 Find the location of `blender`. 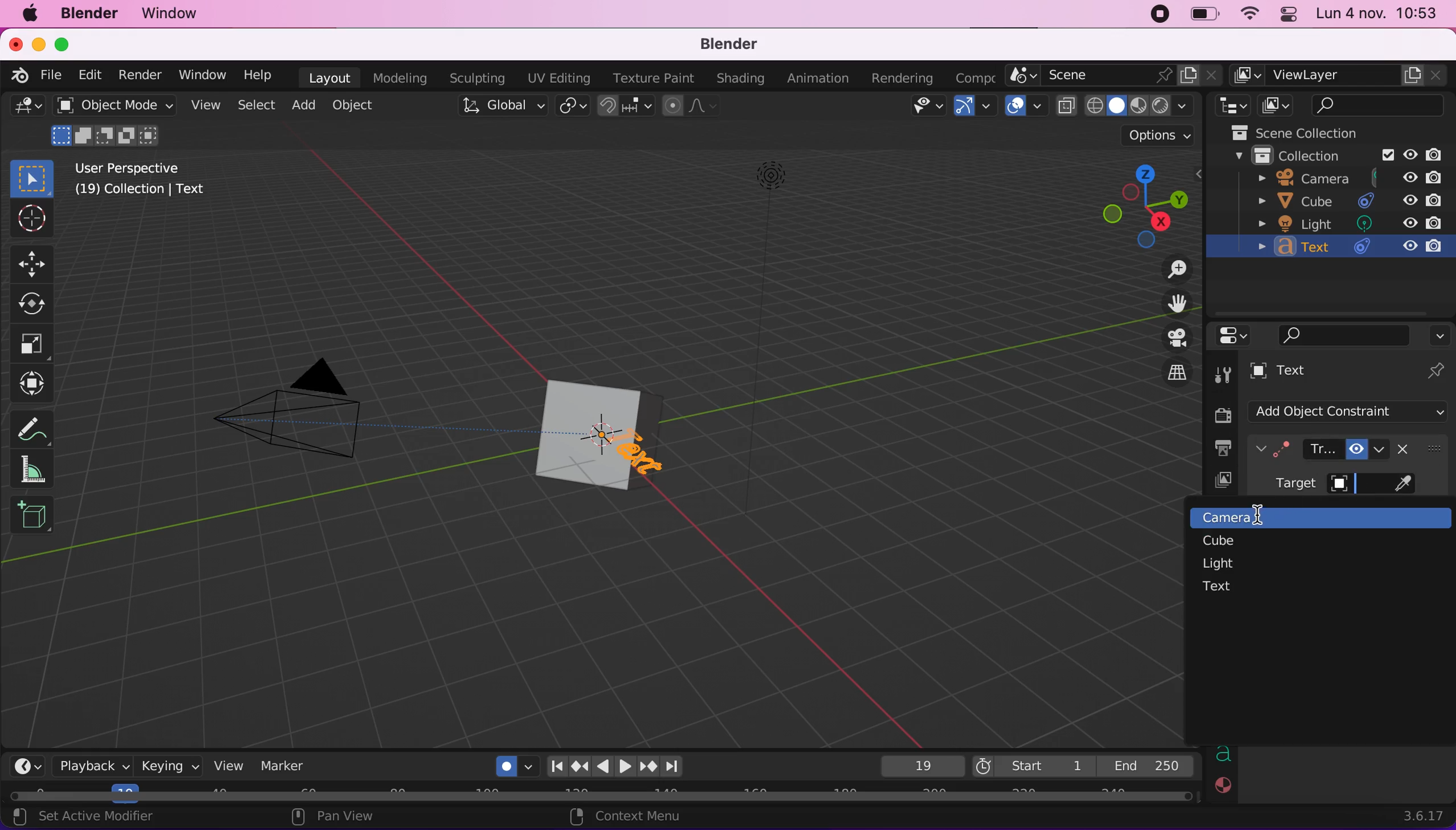

blender is located at coordinates (18, 76).